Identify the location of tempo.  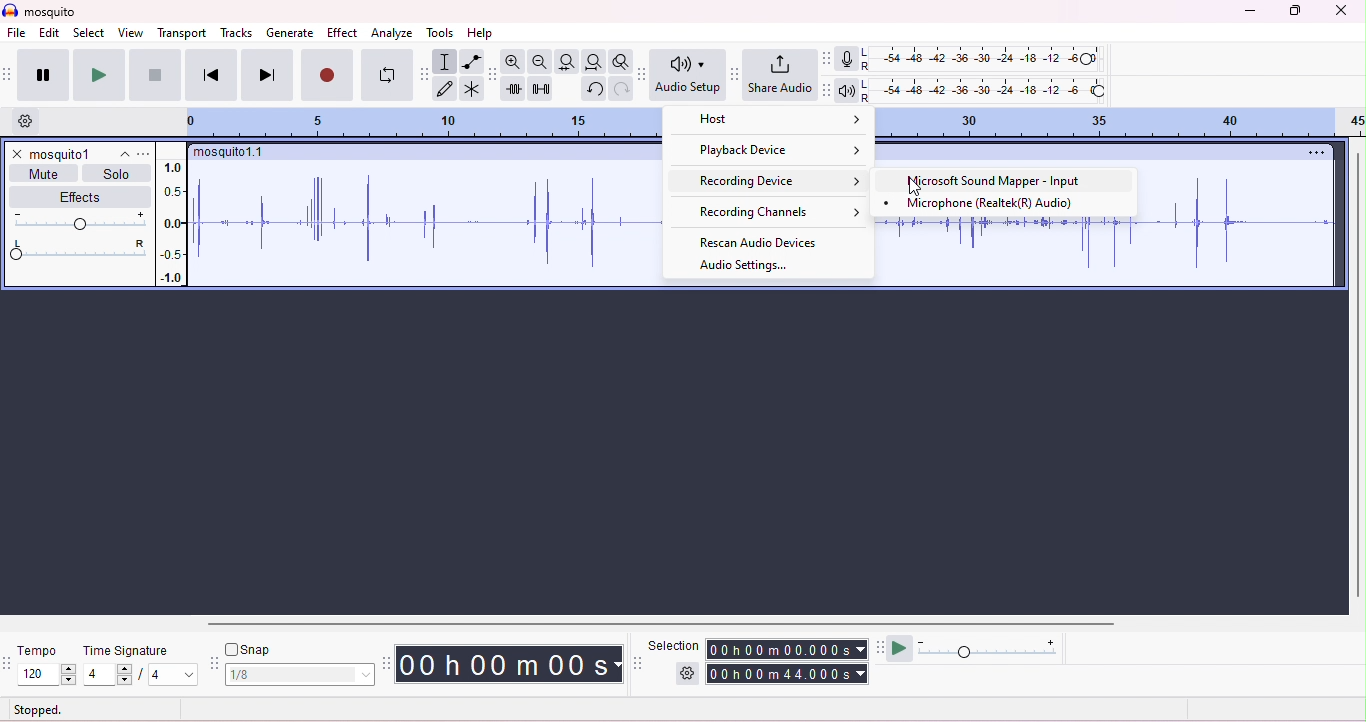
(35, 650).